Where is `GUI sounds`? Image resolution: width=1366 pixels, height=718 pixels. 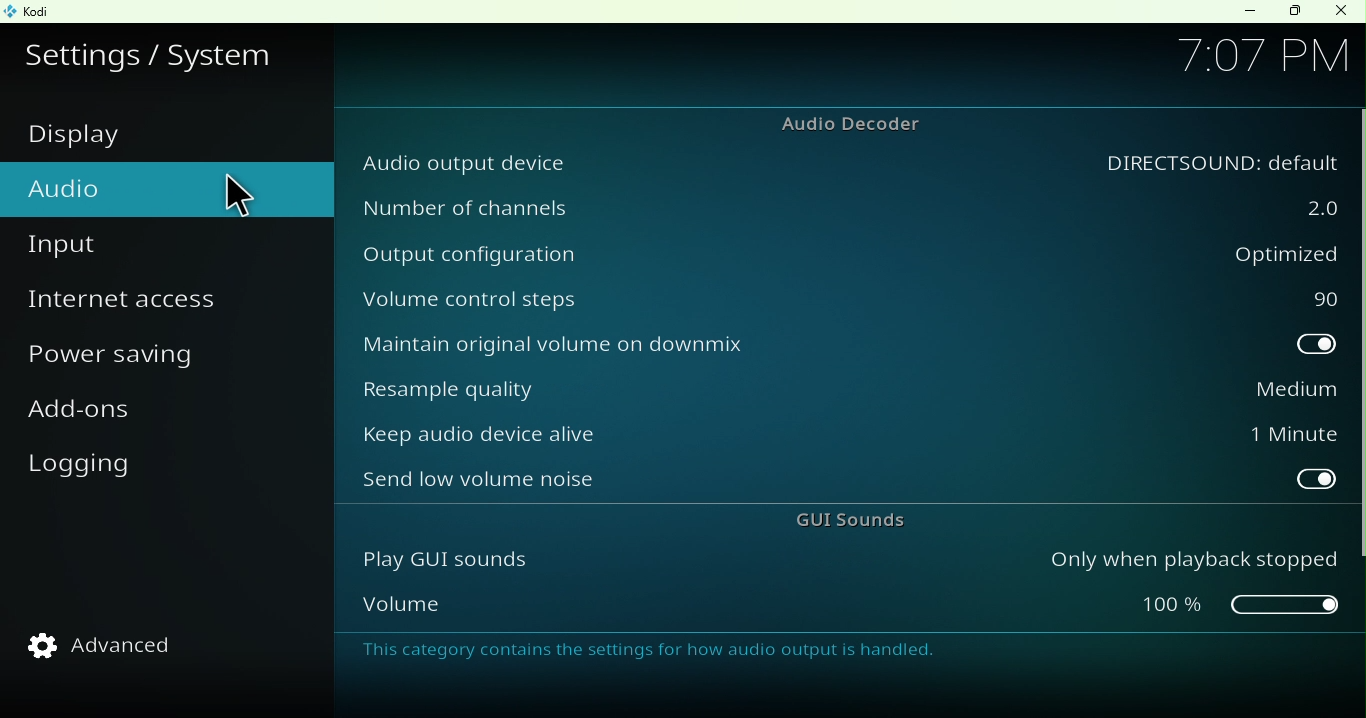
GUI sounds is located at coordinates (832, 524).